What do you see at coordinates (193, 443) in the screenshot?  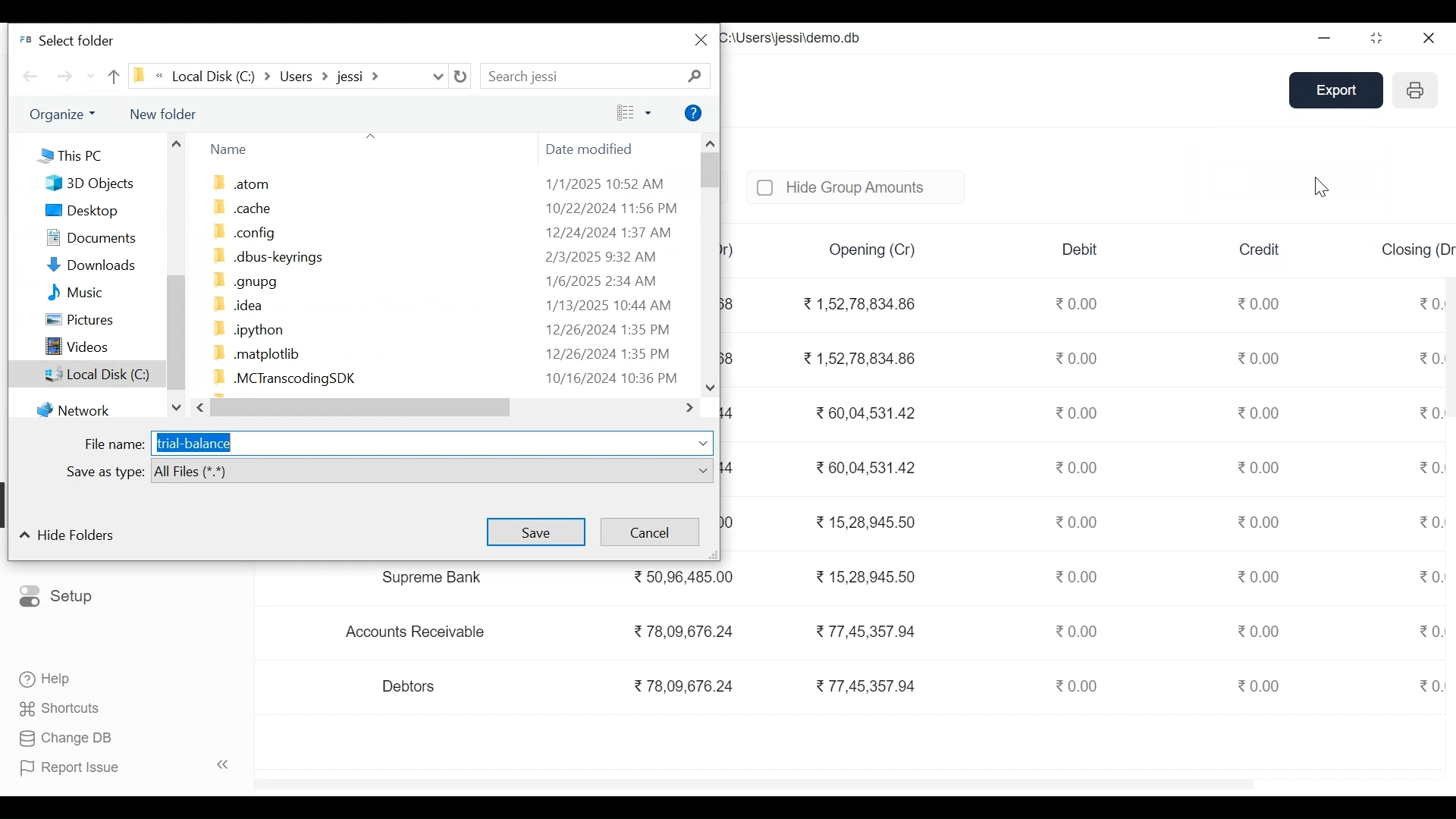 I see `trial-balance` at bounding box center [193, 443].